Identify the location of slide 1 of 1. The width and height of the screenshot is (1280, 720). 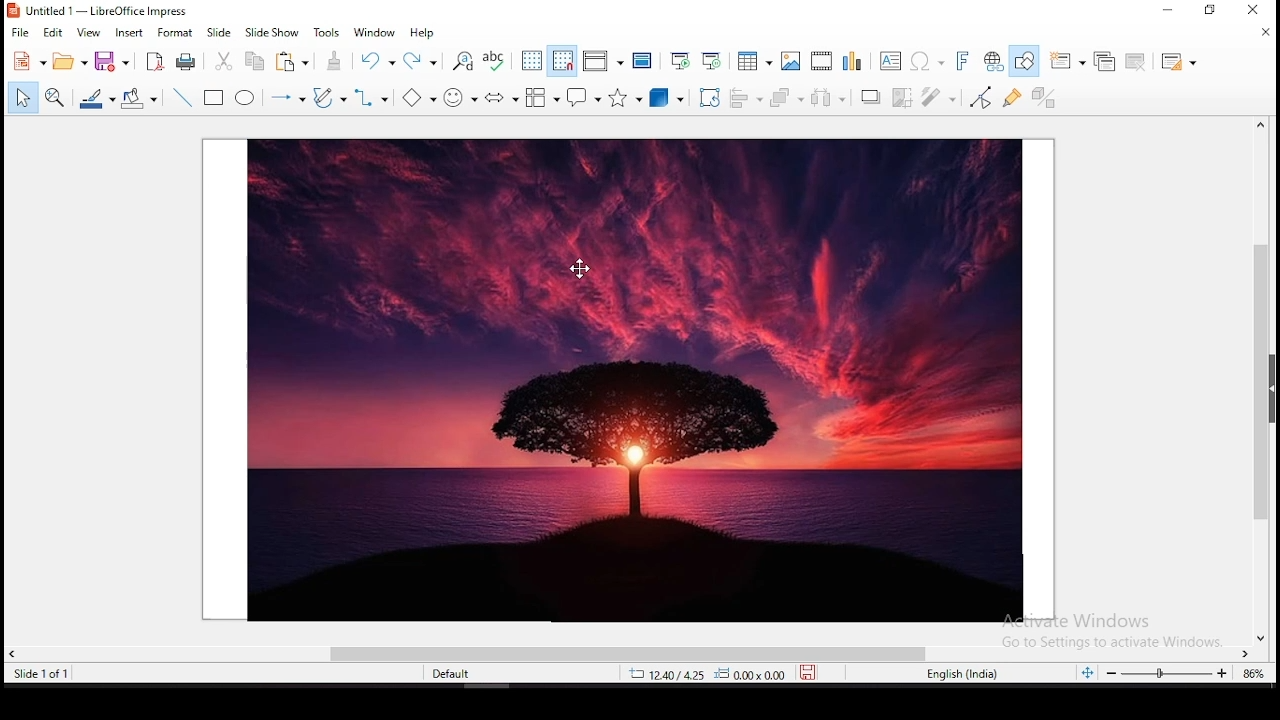
(44, 674).